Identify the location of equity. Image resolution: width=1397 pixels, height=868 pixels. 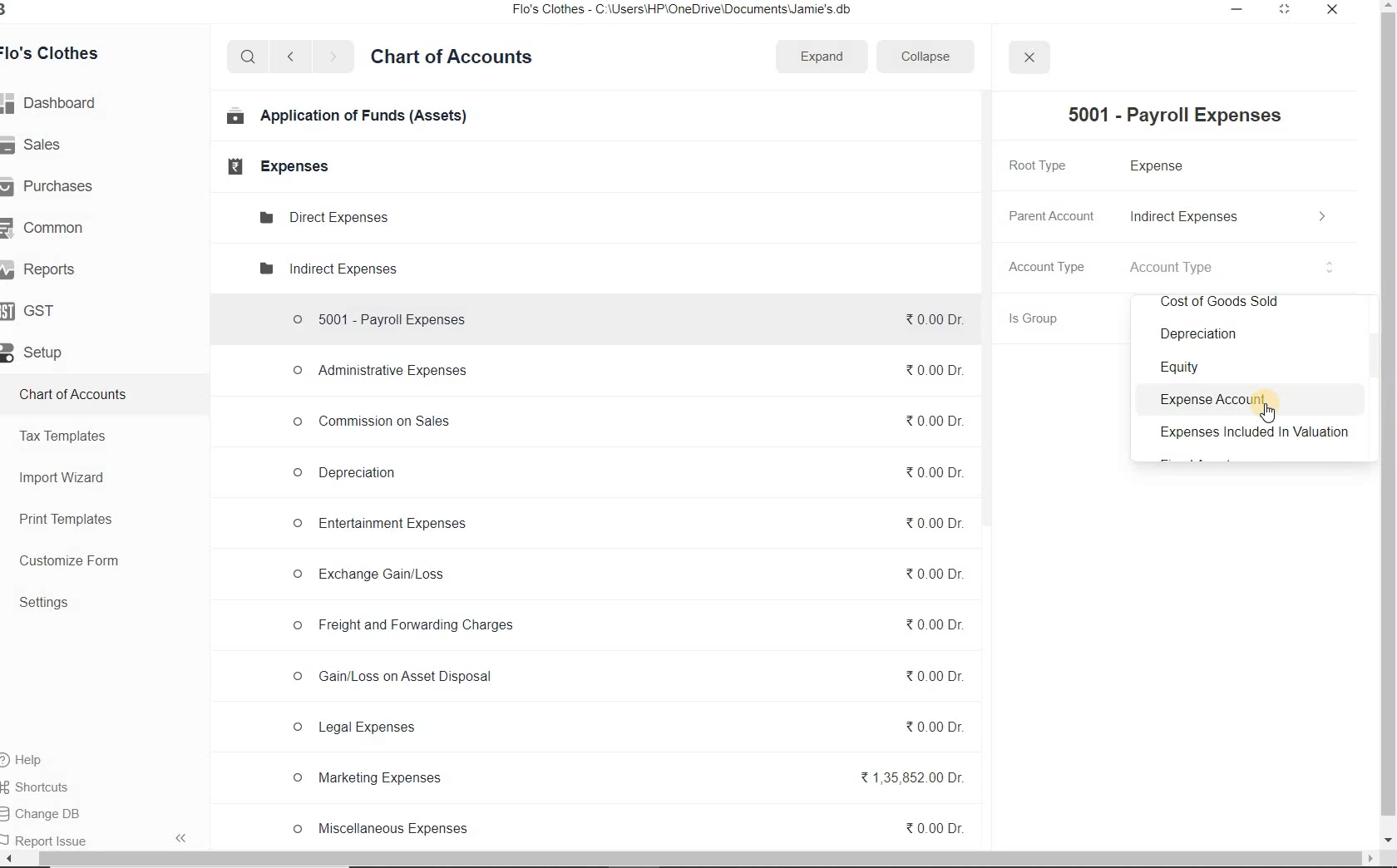
(1184, 365).